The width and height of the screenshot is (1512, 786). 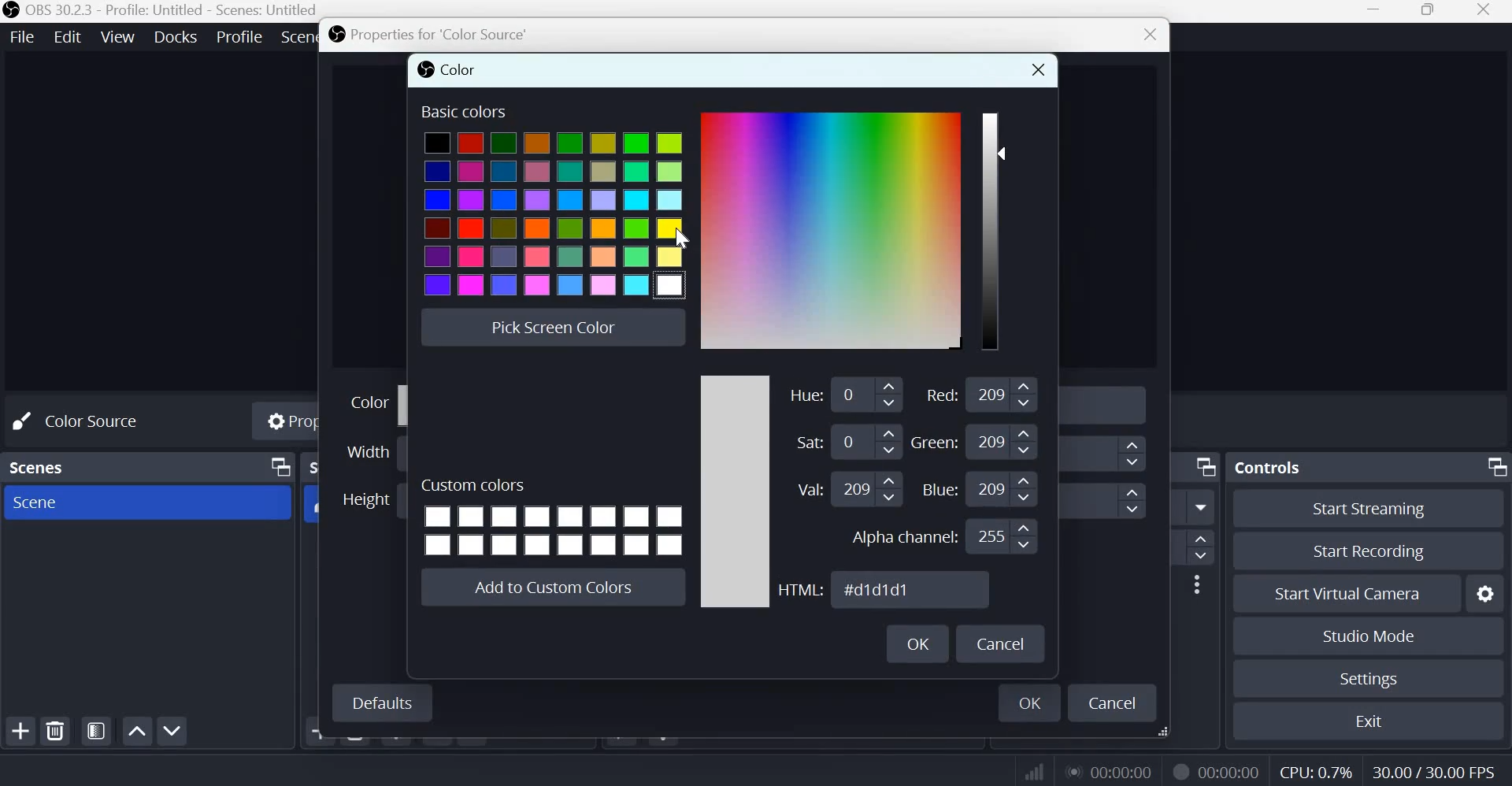 I want to click on Basic colors, so click(x=467, y=111).